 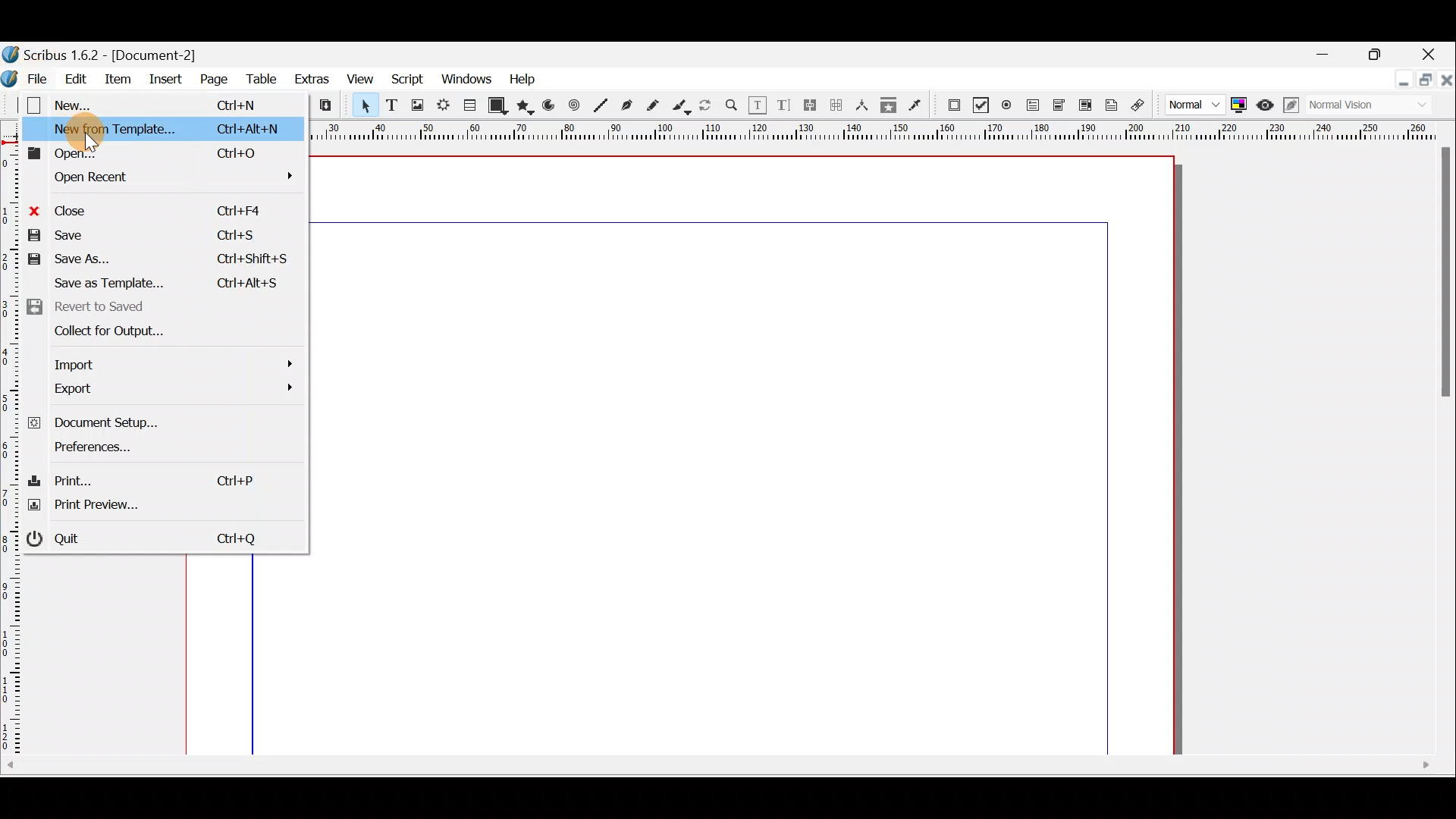 I want to click on Shape, so click(x=498, y=107).